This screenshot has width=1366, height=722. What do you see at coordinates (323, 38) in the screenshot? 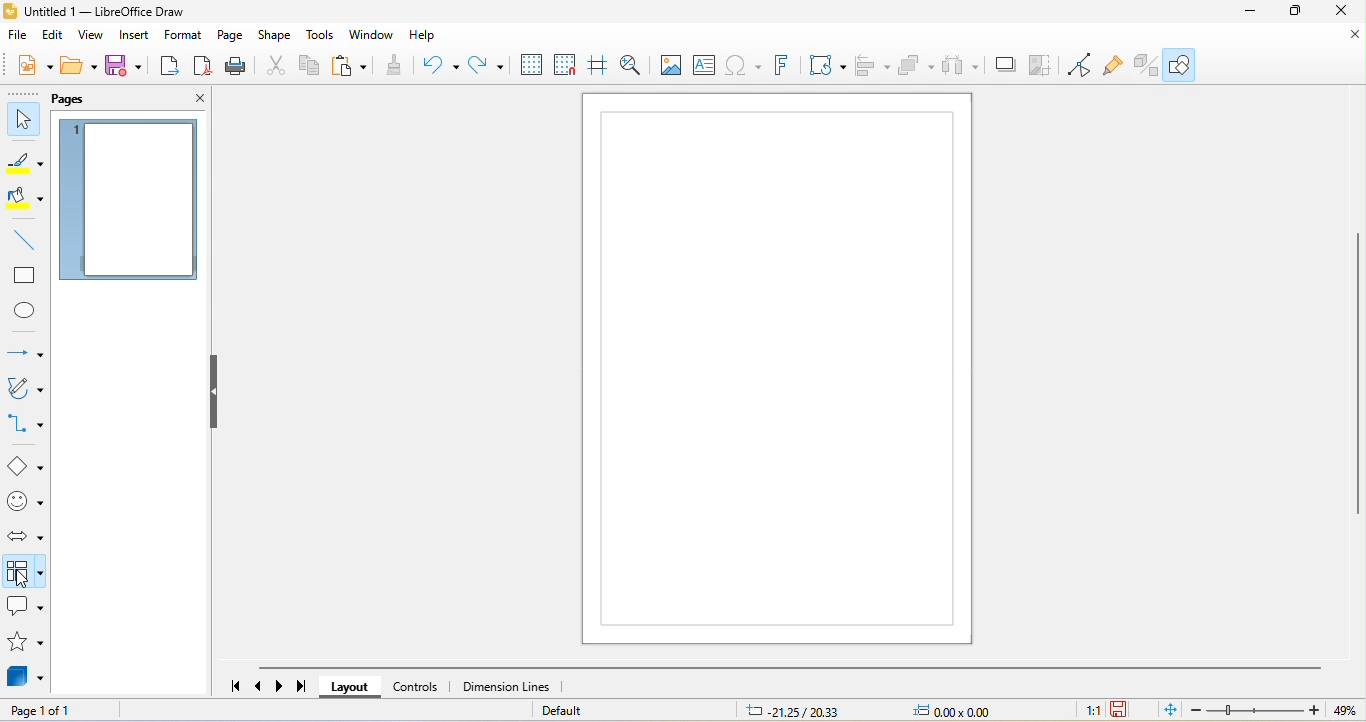
I see `tools` at bounding box center [323, 38].